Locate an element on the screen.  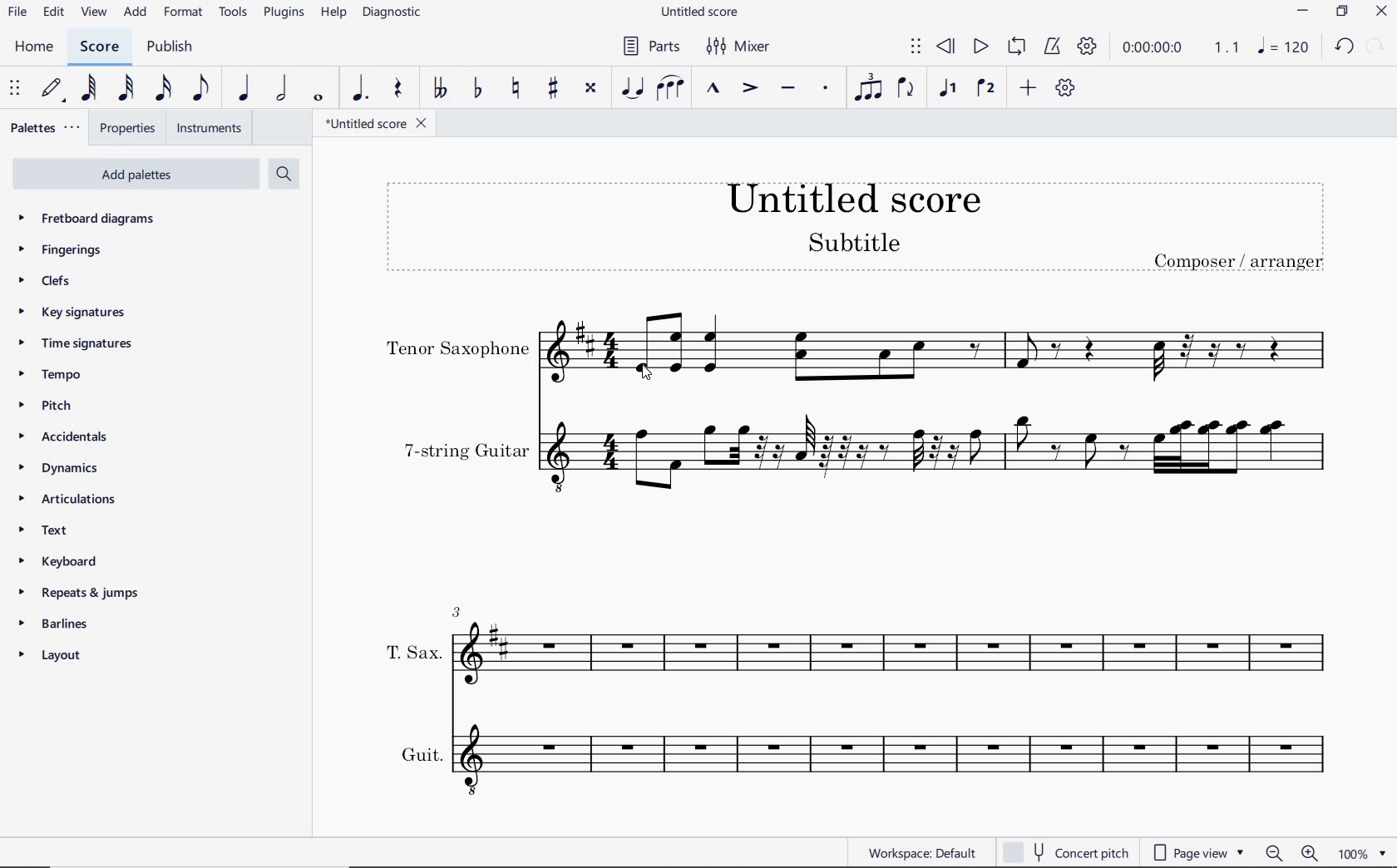
ARTICULATIONS is located at coordinates (67, 499).